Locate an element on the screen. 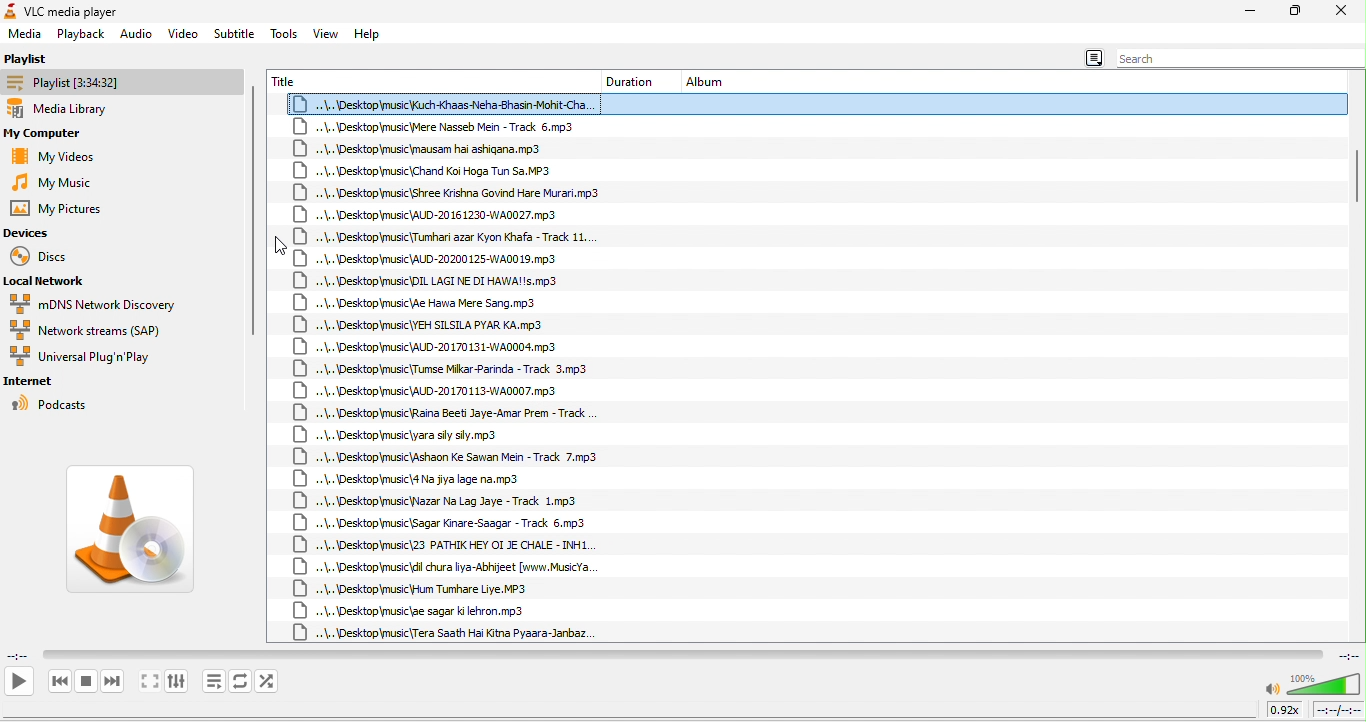  elapsed time is located at coordinates (20, 654).